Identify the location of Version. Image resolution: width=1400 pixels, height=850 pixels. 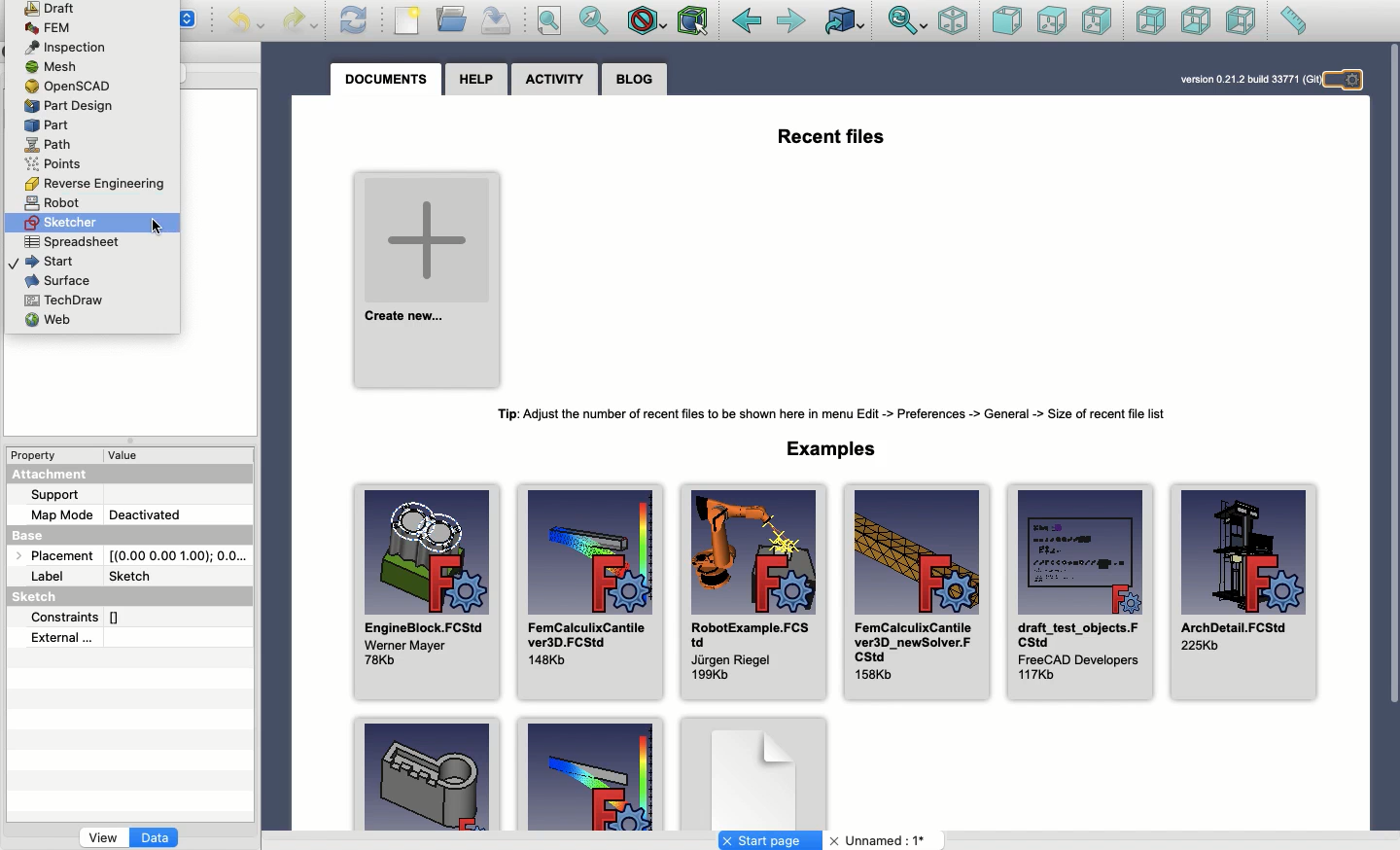
(1246, 79).